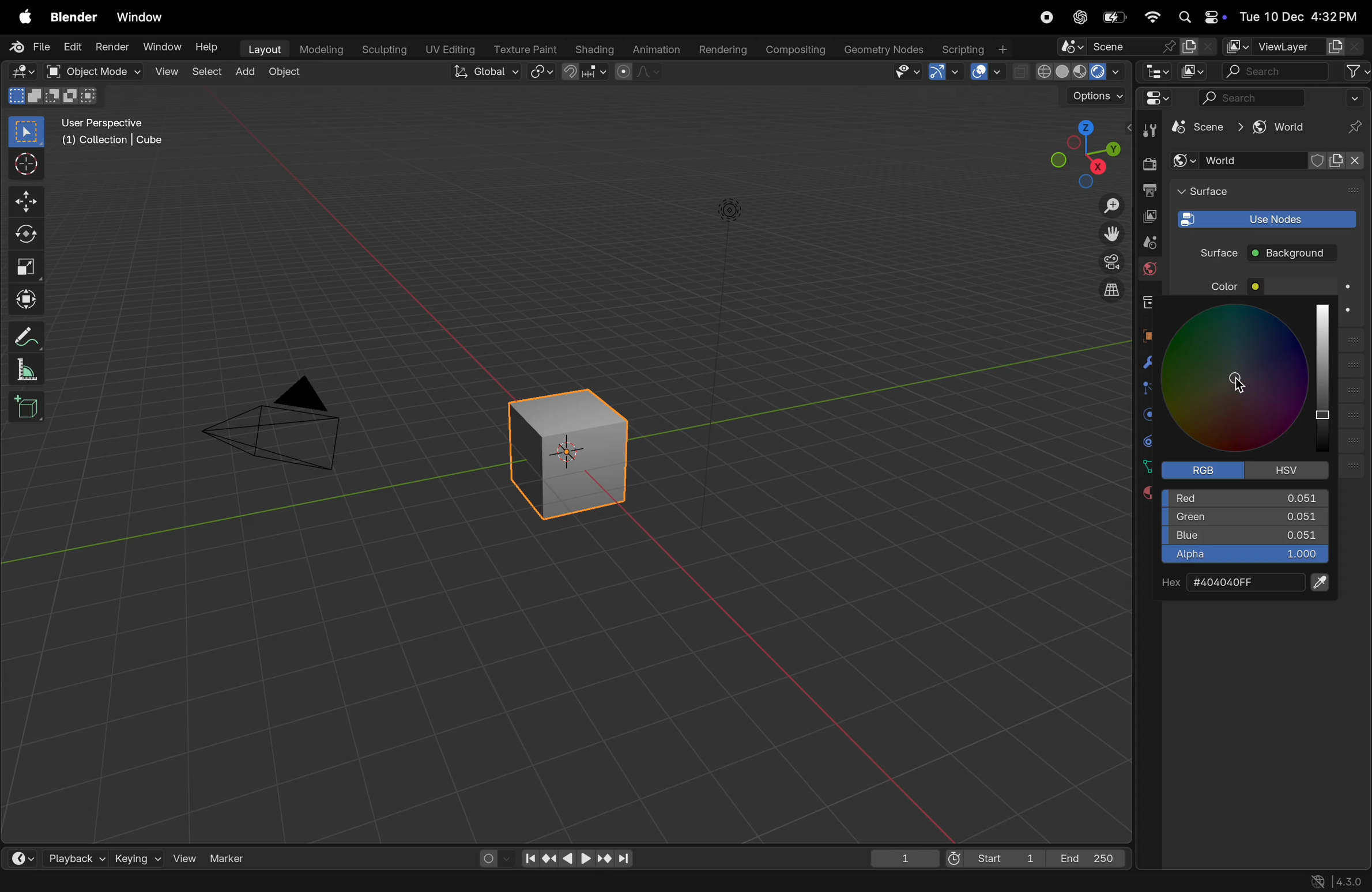 The image size is (1372, 892). Describe the element at coordinates (1241, 287) in the screenshot. I see `Color ©` at that location.